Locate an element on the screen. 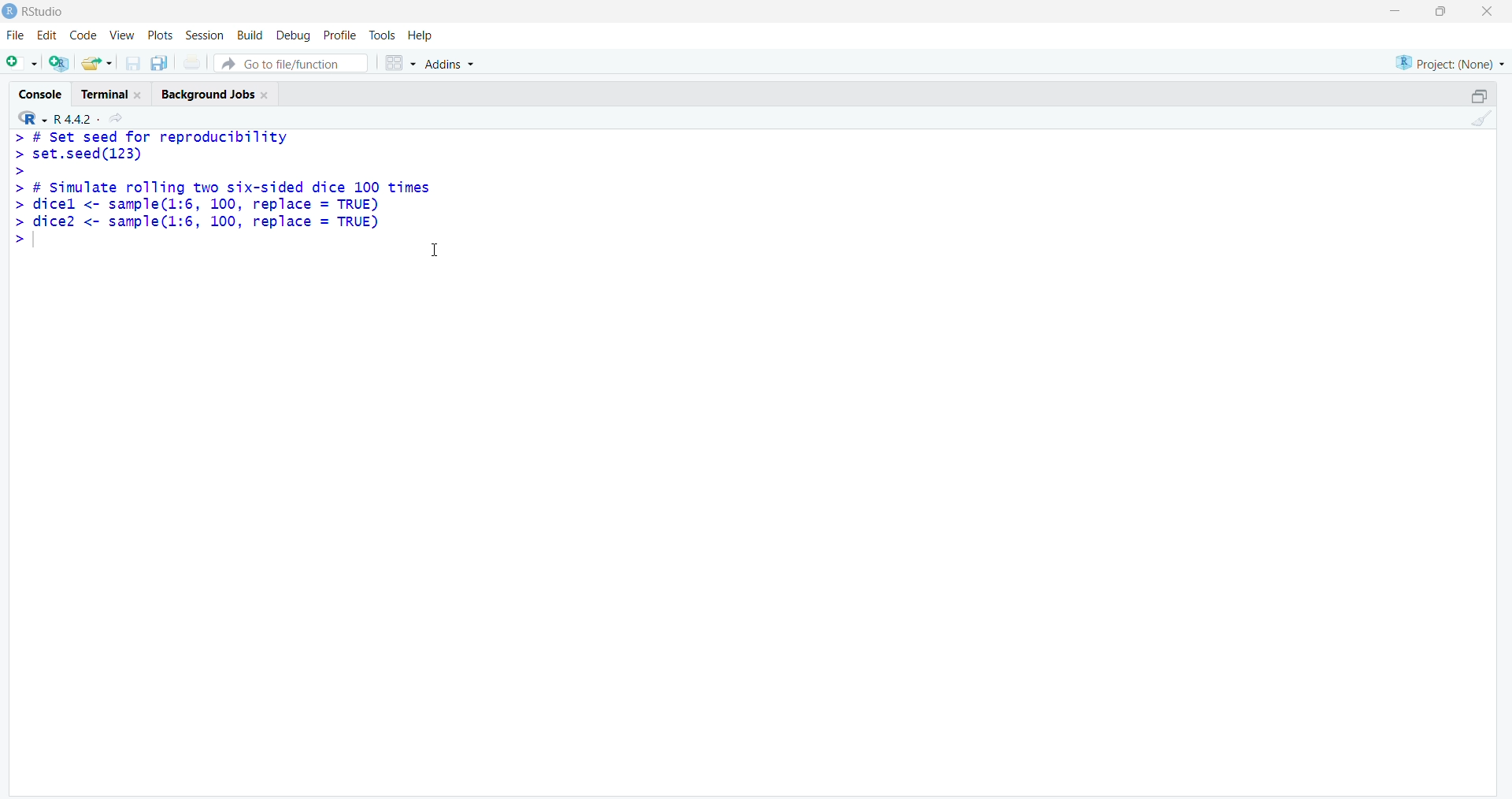 Image resolution: width=1512 pixels, height=799 pixels. close is located at coordinates (139, 95).